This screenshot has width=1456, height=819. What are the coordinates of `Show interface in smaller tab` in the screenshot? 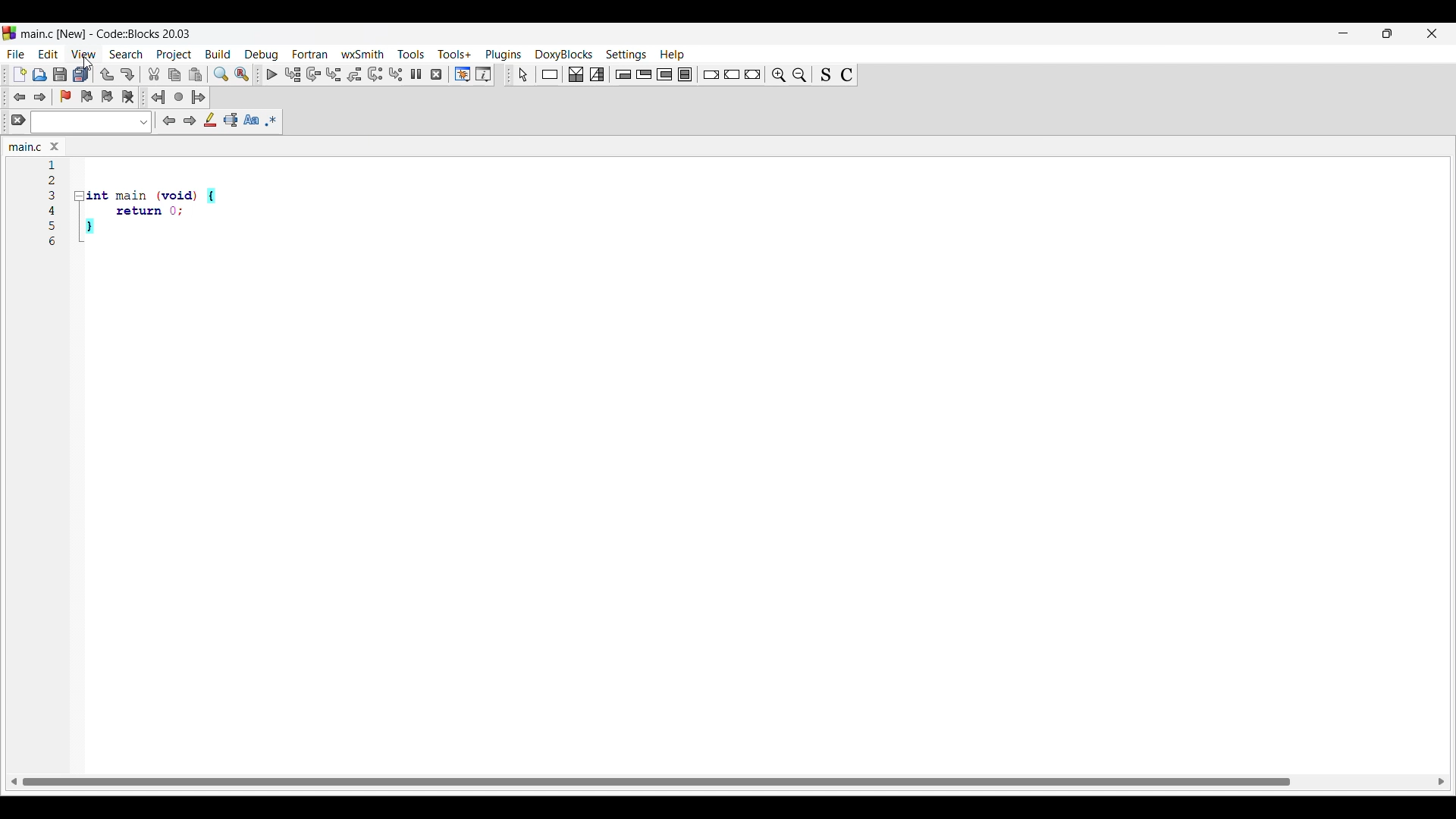 It's located at (1387, 33).